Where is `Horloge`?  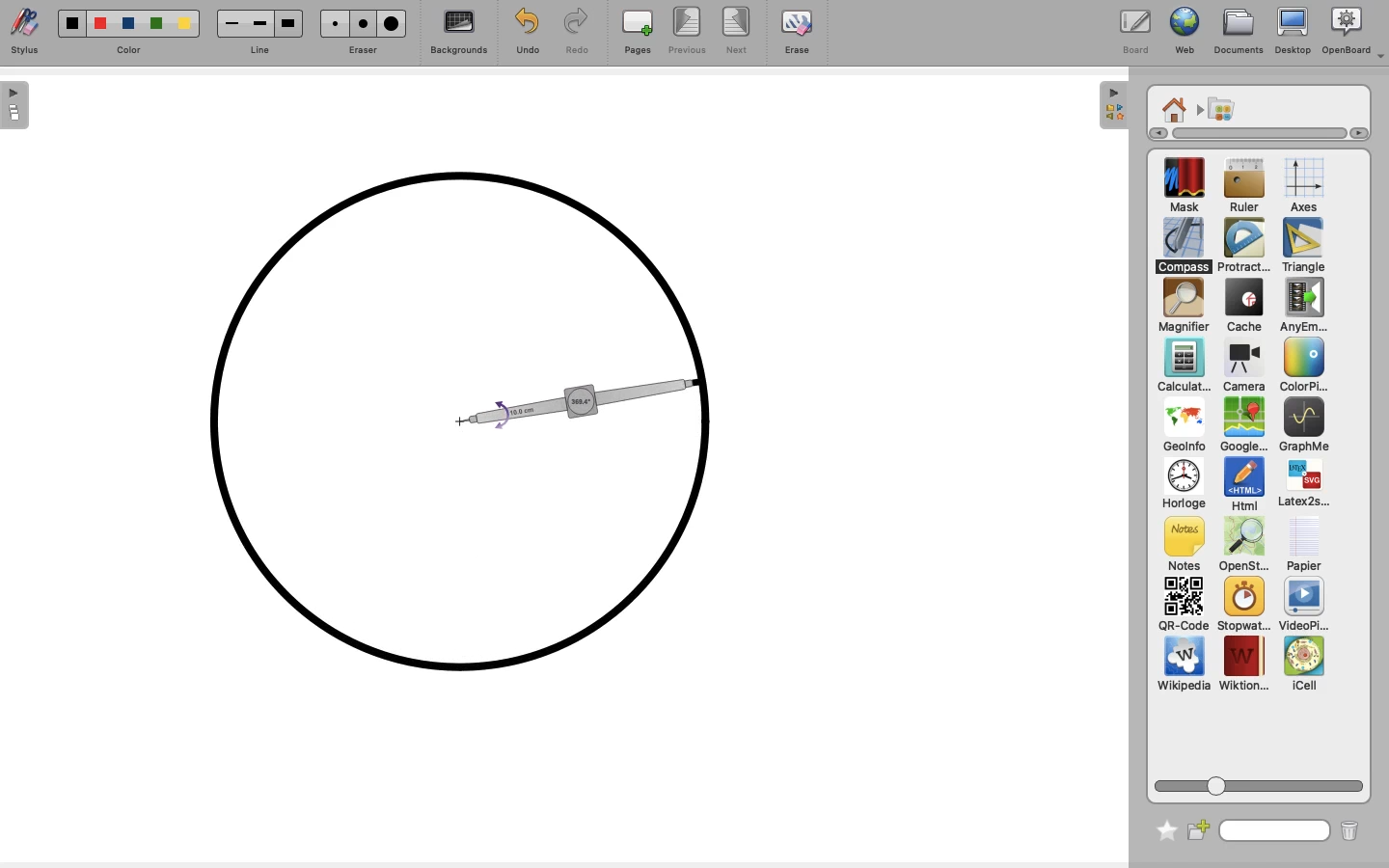 Horloge is located at coordinates (1183, 485).